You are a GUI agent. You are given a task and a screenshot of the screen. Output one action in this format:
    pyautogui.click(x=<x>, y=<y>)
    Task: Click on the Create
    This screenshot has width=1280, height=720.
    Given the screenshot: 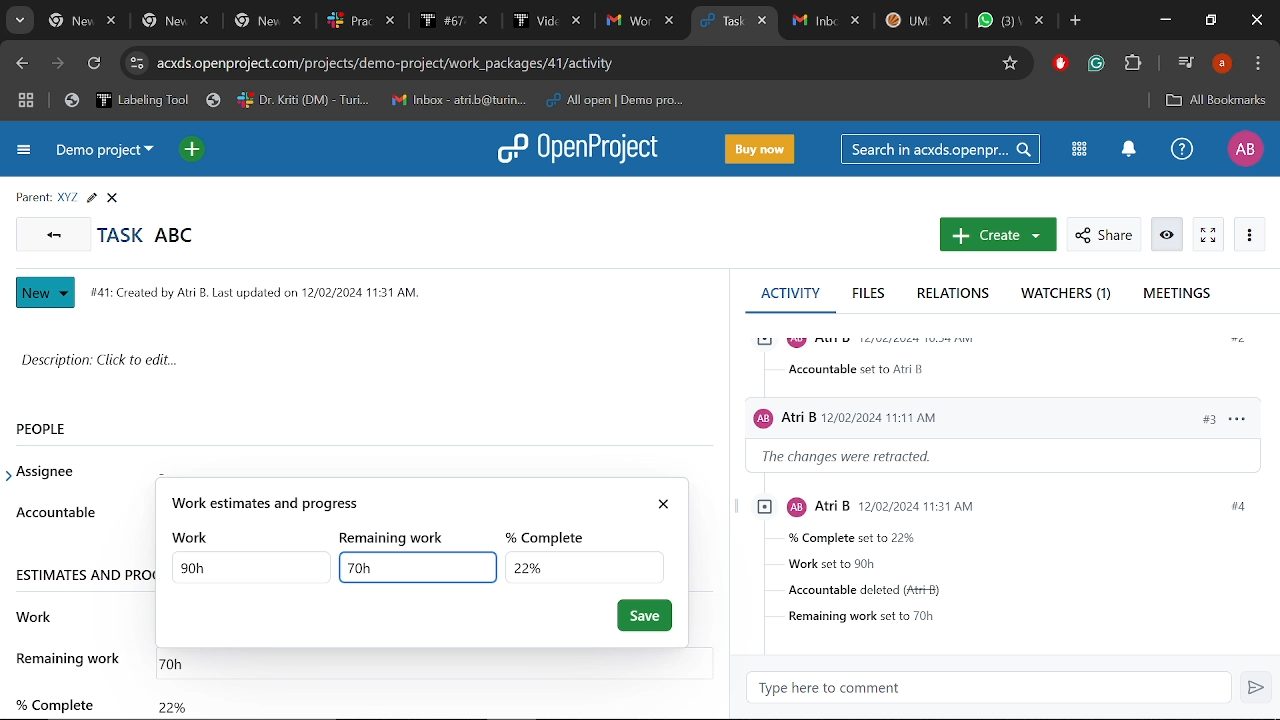 What is the action you would take?
    pyautogui.click(x=995, y=236)
    